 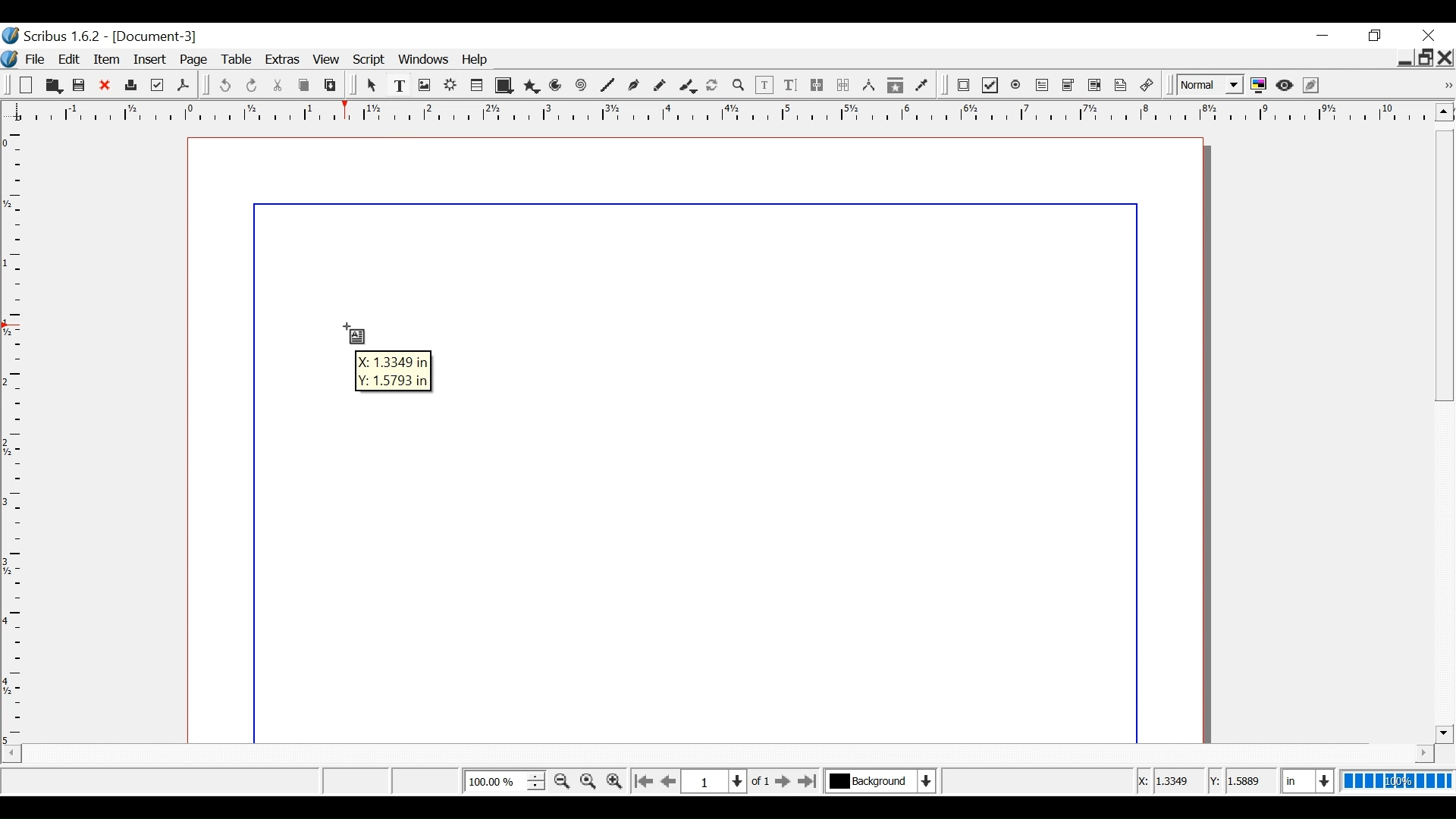 What do you see at coordinates (52, 85) in the screenshot?
I see `Open` at bounding box center [52, 85].